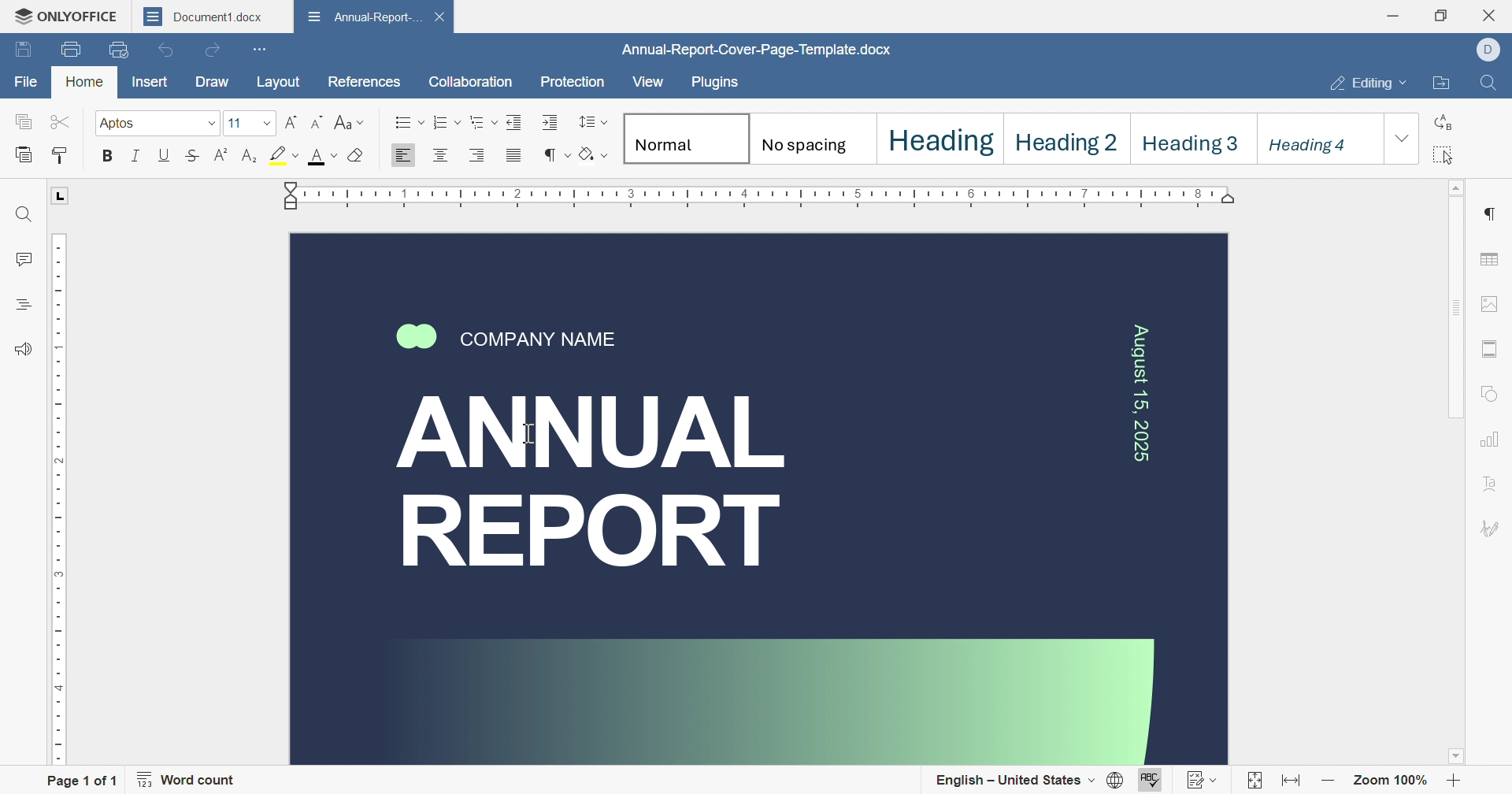  What do you see at coordinates (1454, 315) in the screenshot?
I see `scroll bar` at bounding box center [1454, 315].